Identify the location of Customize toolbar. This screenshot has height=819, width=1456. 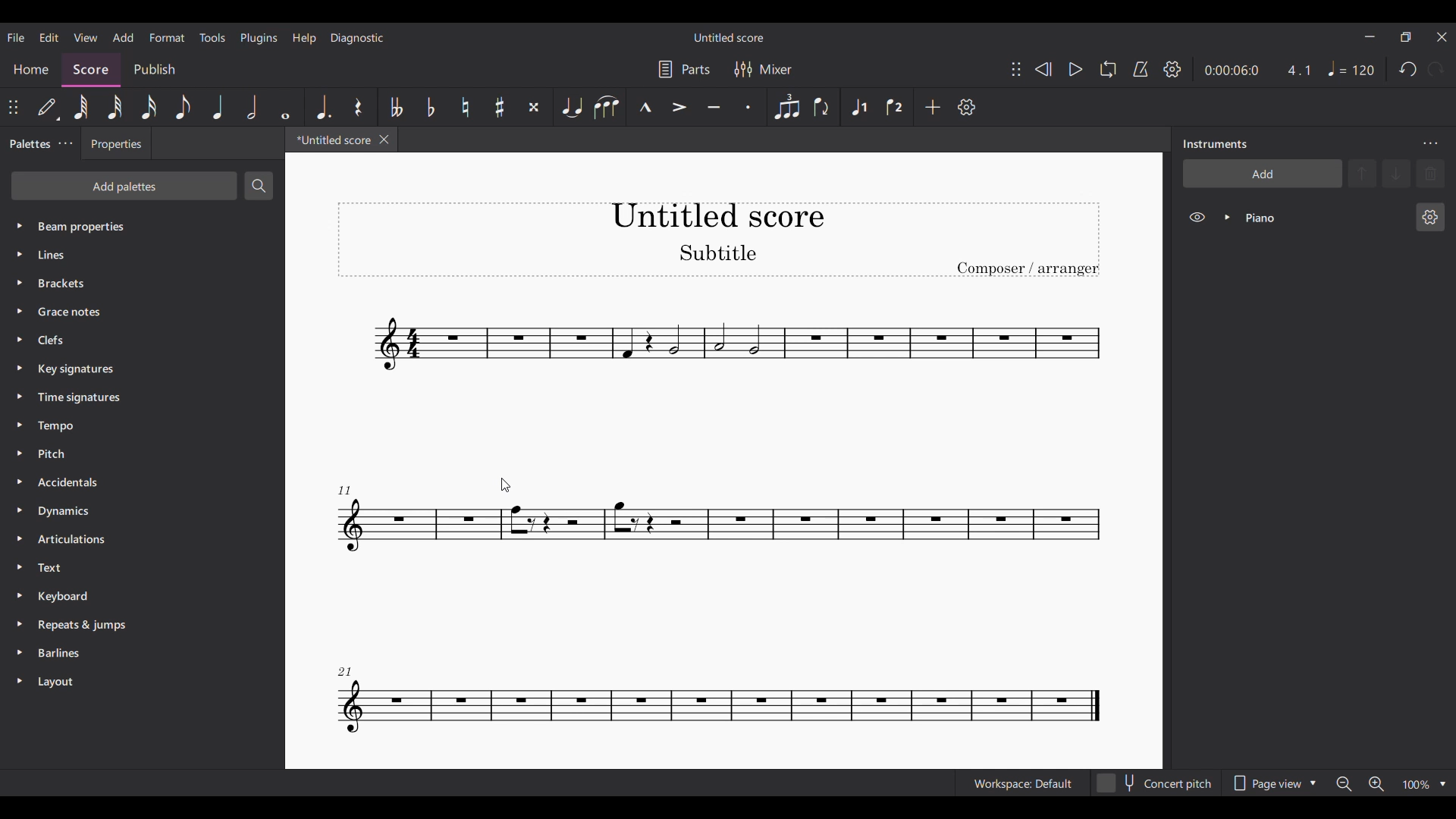
(966, 108).